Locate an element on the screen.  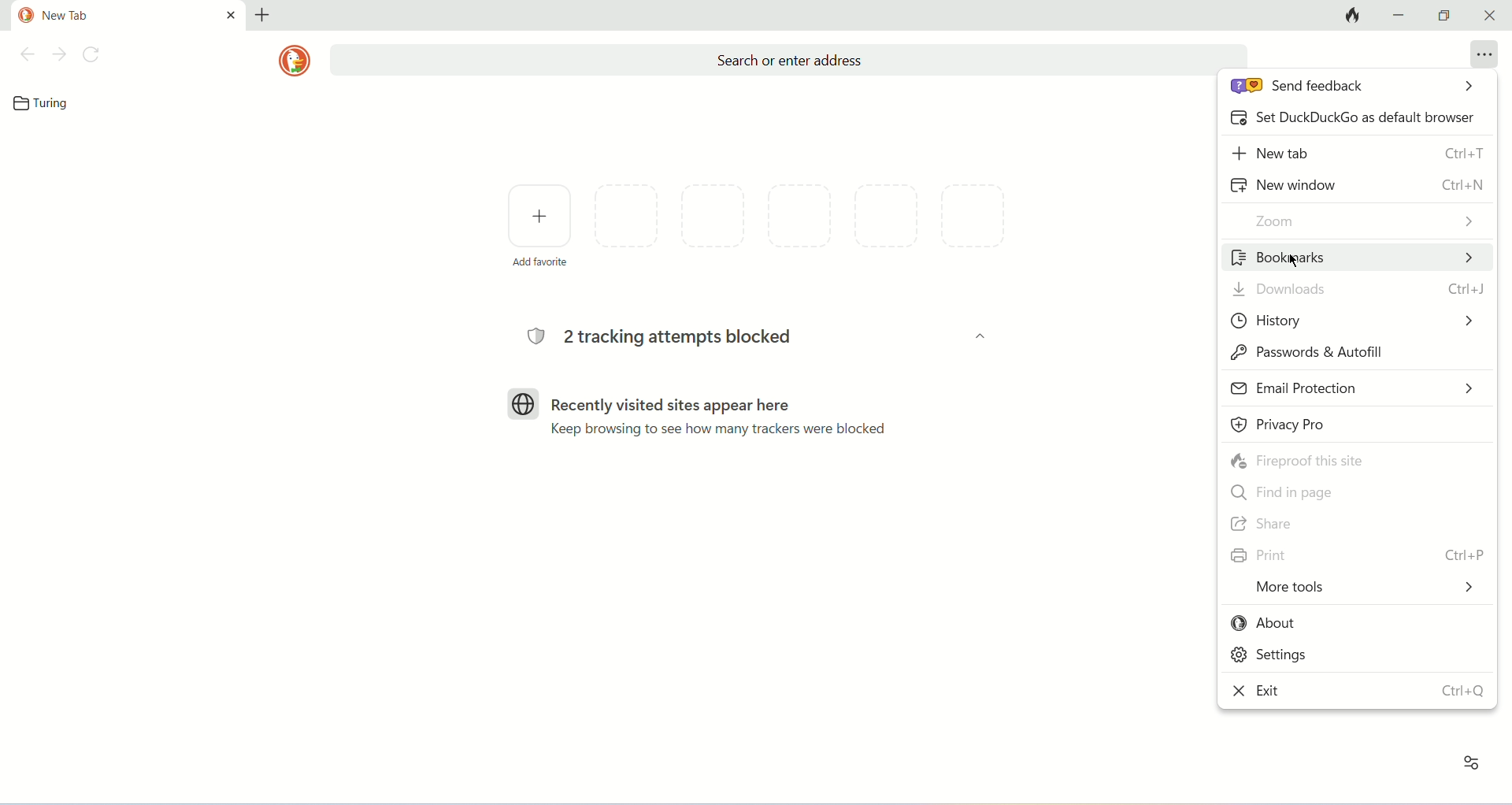
cursor is located at coordinates (1293, 262).